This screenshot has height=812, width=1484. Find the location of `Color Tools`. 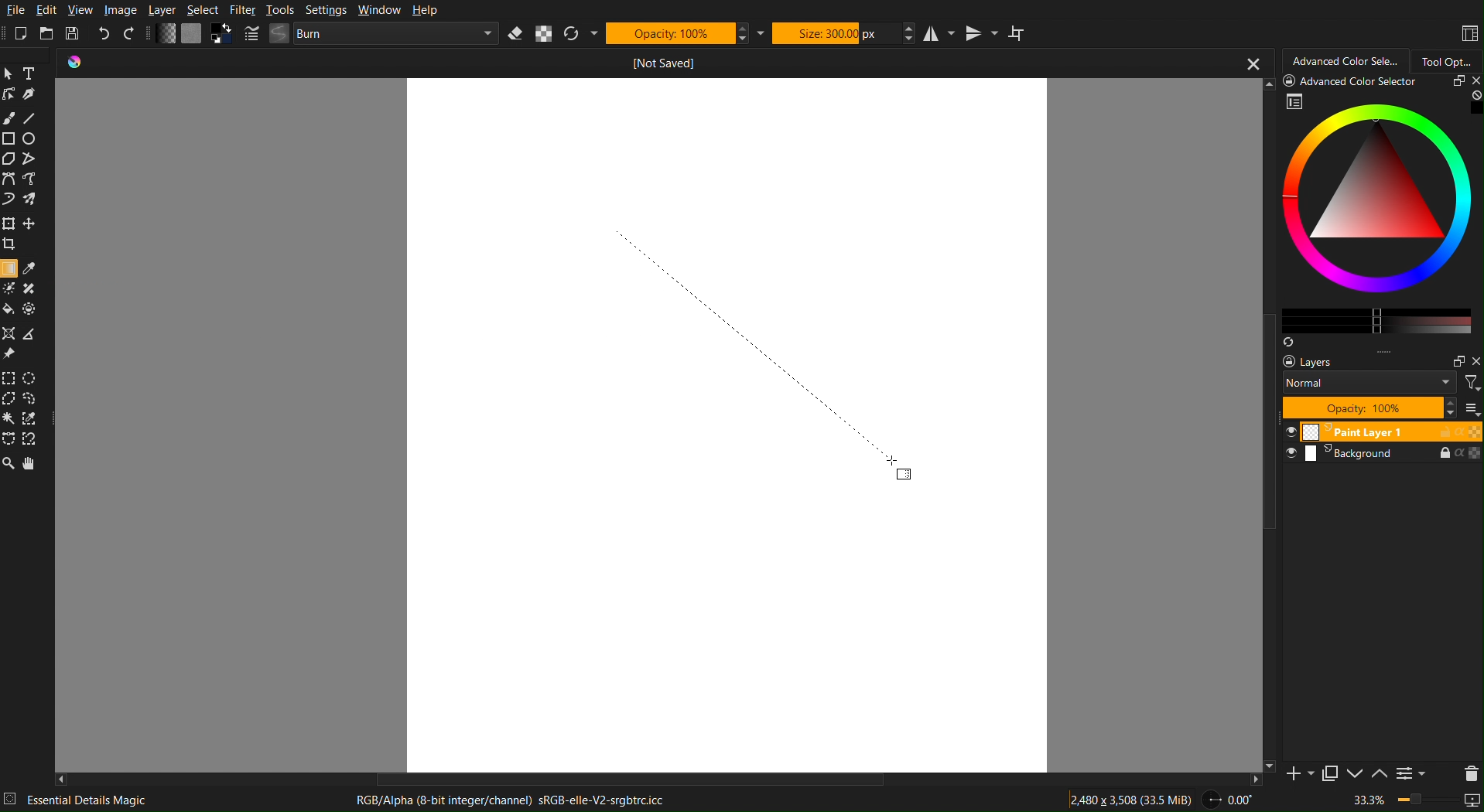

Color Tools is located at coordinates (22, 299).